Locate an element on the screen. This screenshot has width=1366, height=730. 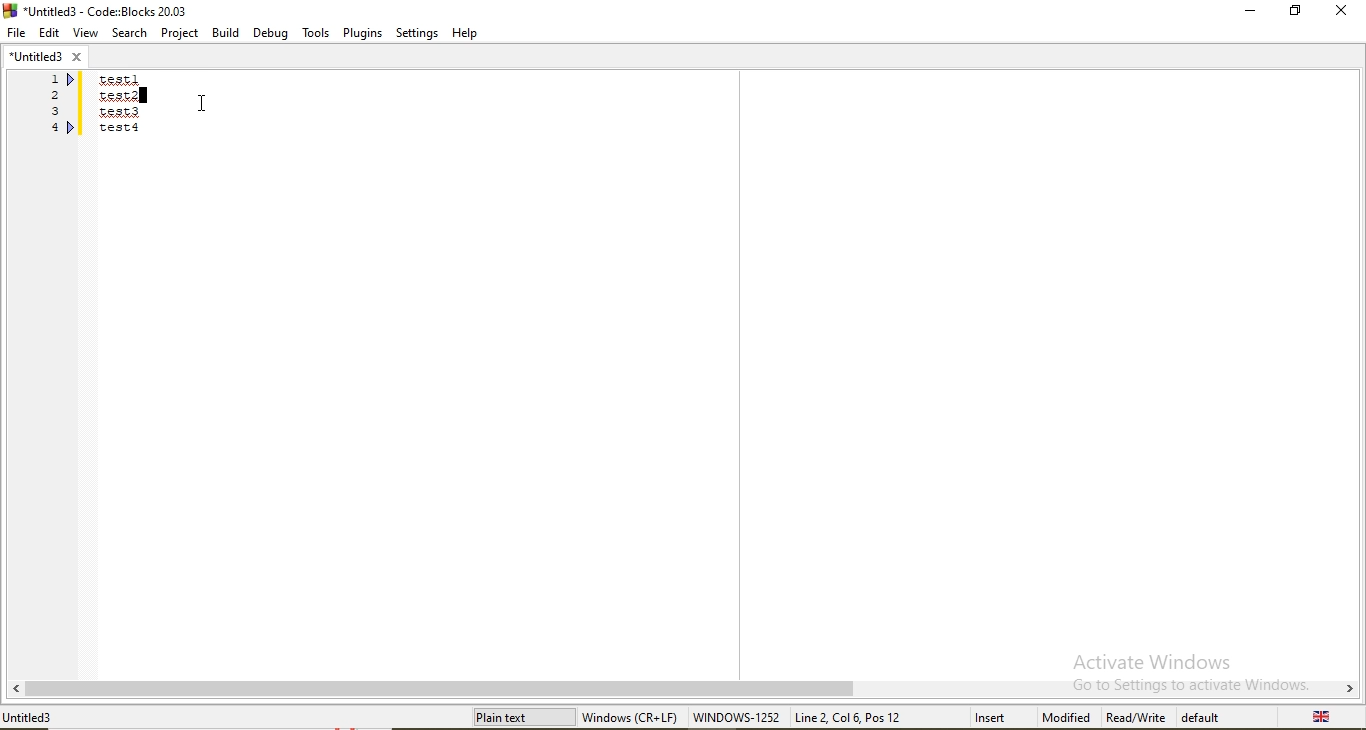
file name is located at coordinates (38, 717).